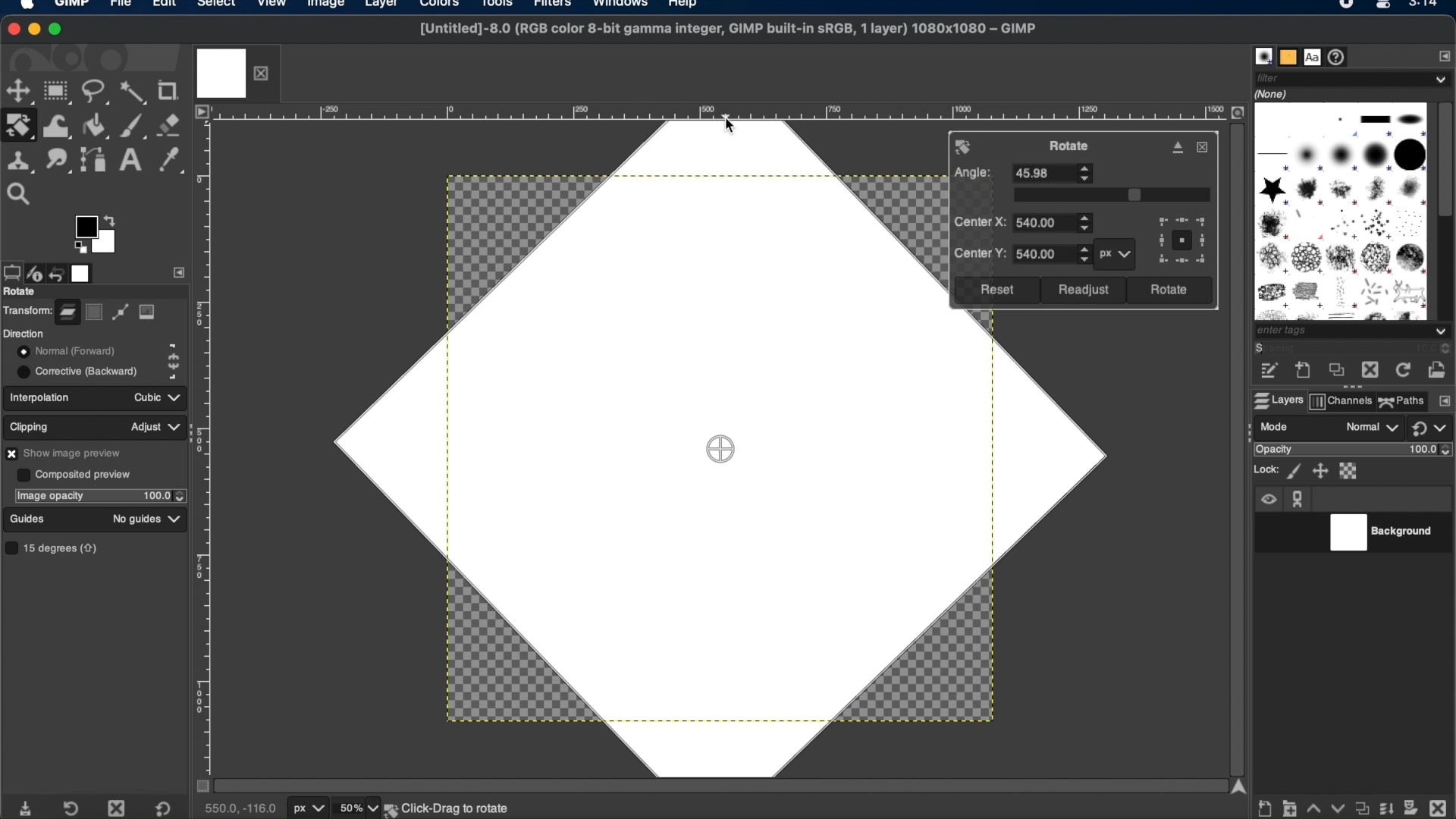 This screenshot has height=819, width=1456. What do you see at coordinates (715, 784) in the screenshot?
I see `scroll bar` at bounding box center [715, 784].